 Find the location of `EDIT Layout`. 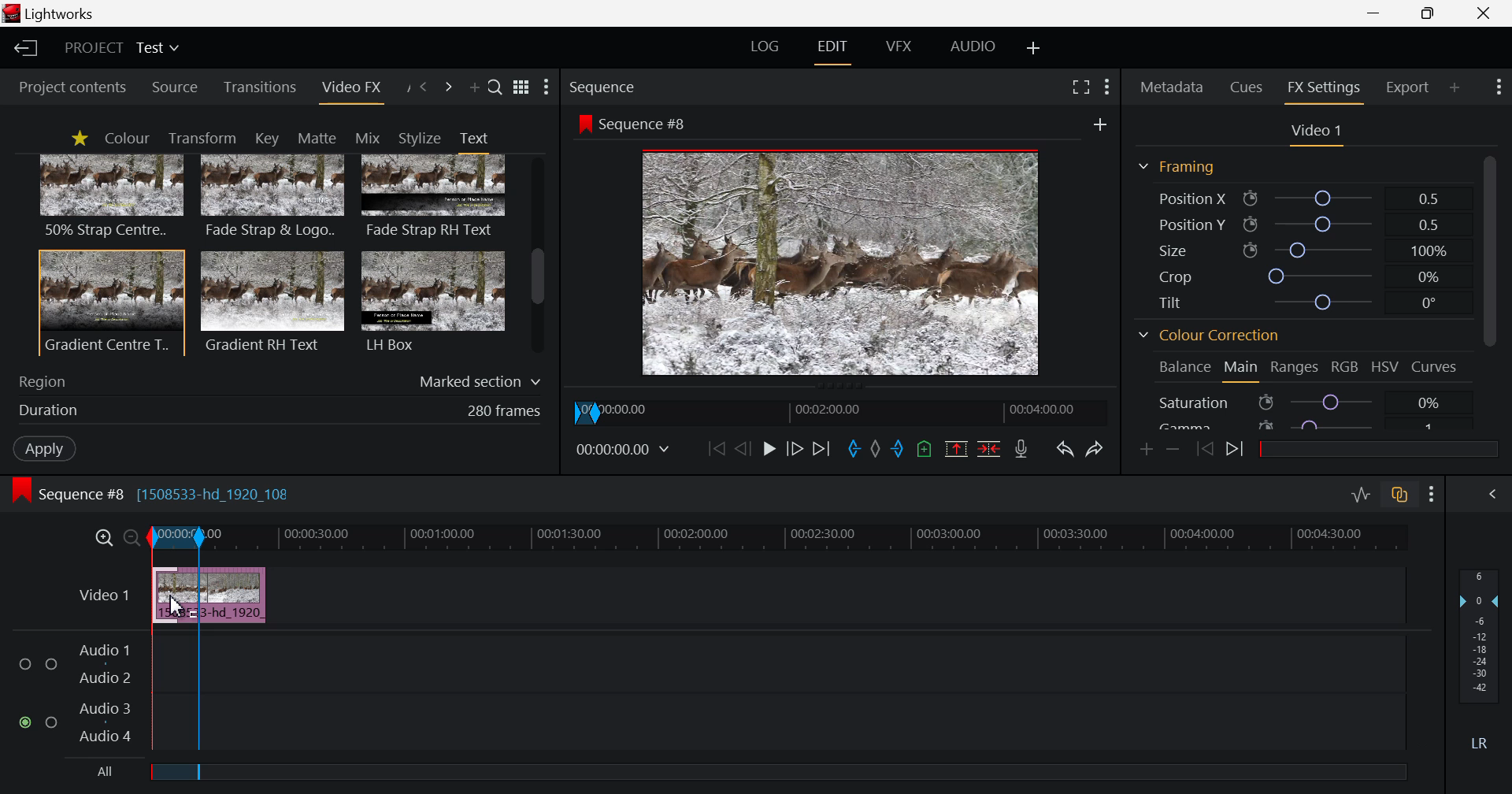

EDIT Layout is located at coordinates (836, 48).